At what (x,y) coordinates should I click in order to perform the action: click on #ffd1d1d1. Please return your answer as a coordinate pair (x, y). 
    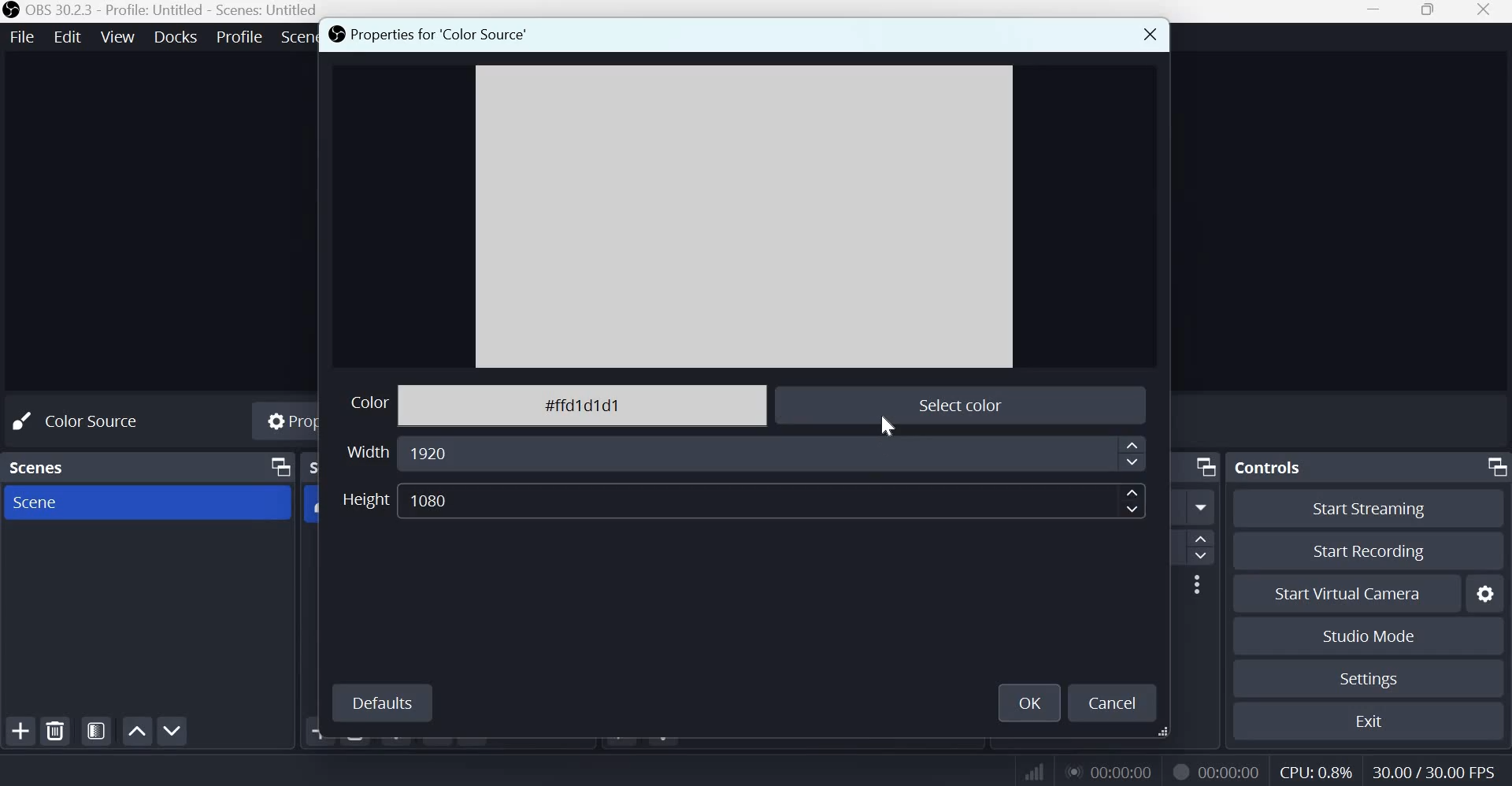
    Looking at the image, I should click on (585, 401).